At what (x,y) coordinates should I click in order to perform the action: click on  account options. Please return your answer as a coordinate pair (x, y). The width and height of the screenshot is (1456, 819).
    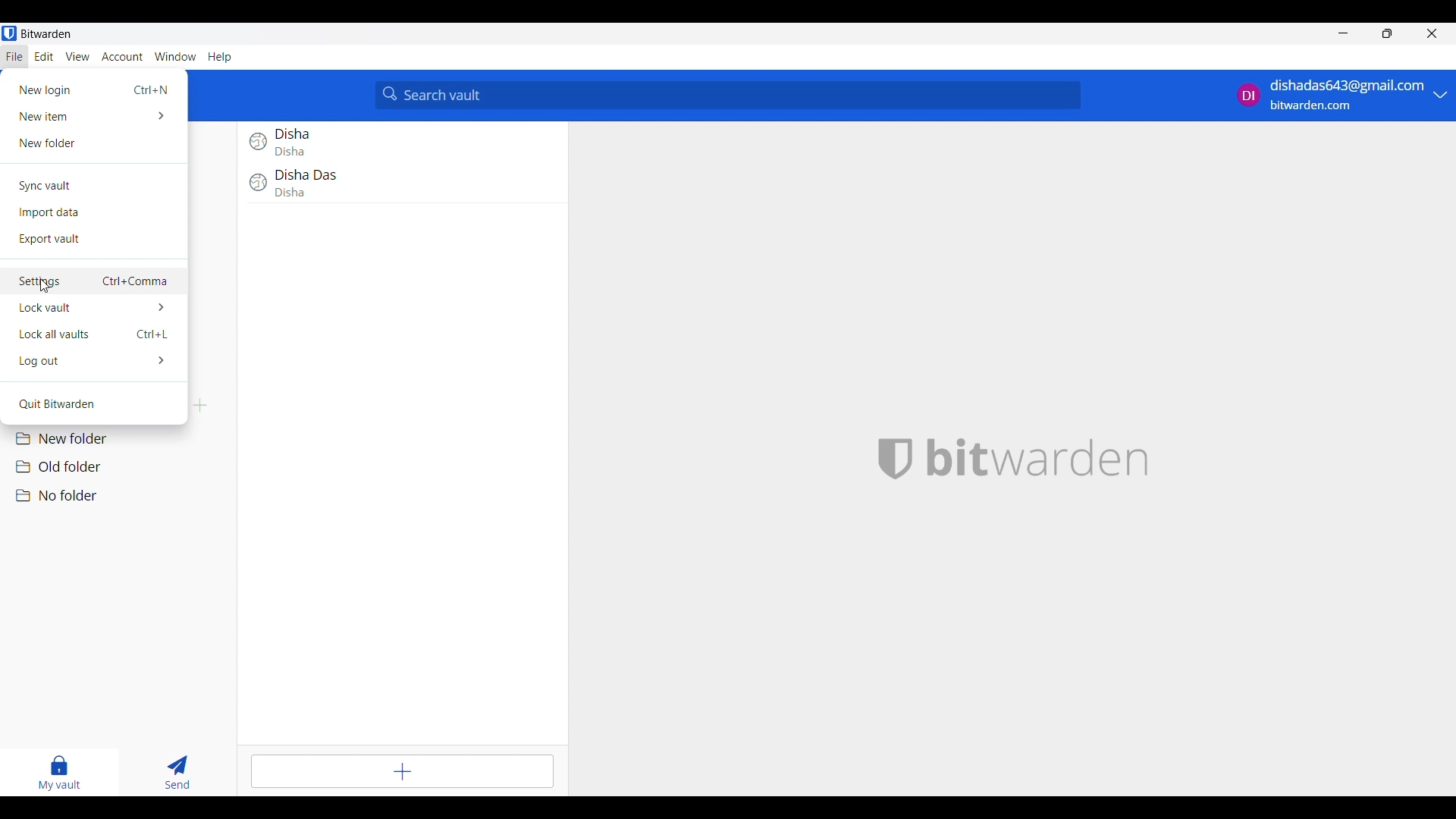
    Looking at the image, I should click on (1341, 95).